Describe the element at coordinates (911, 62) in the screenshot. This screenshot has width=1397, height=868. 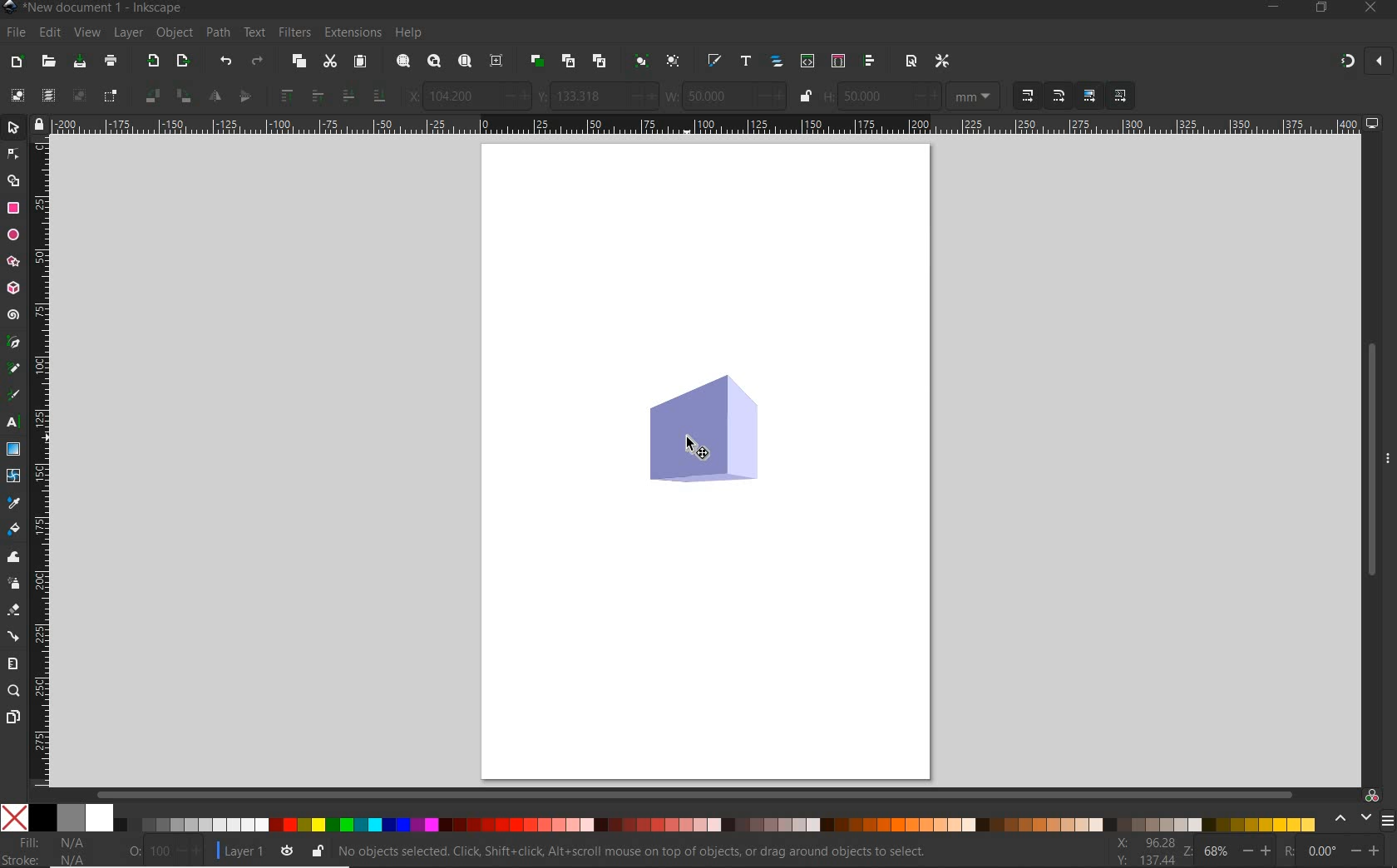
I see `open document properties` at that location.